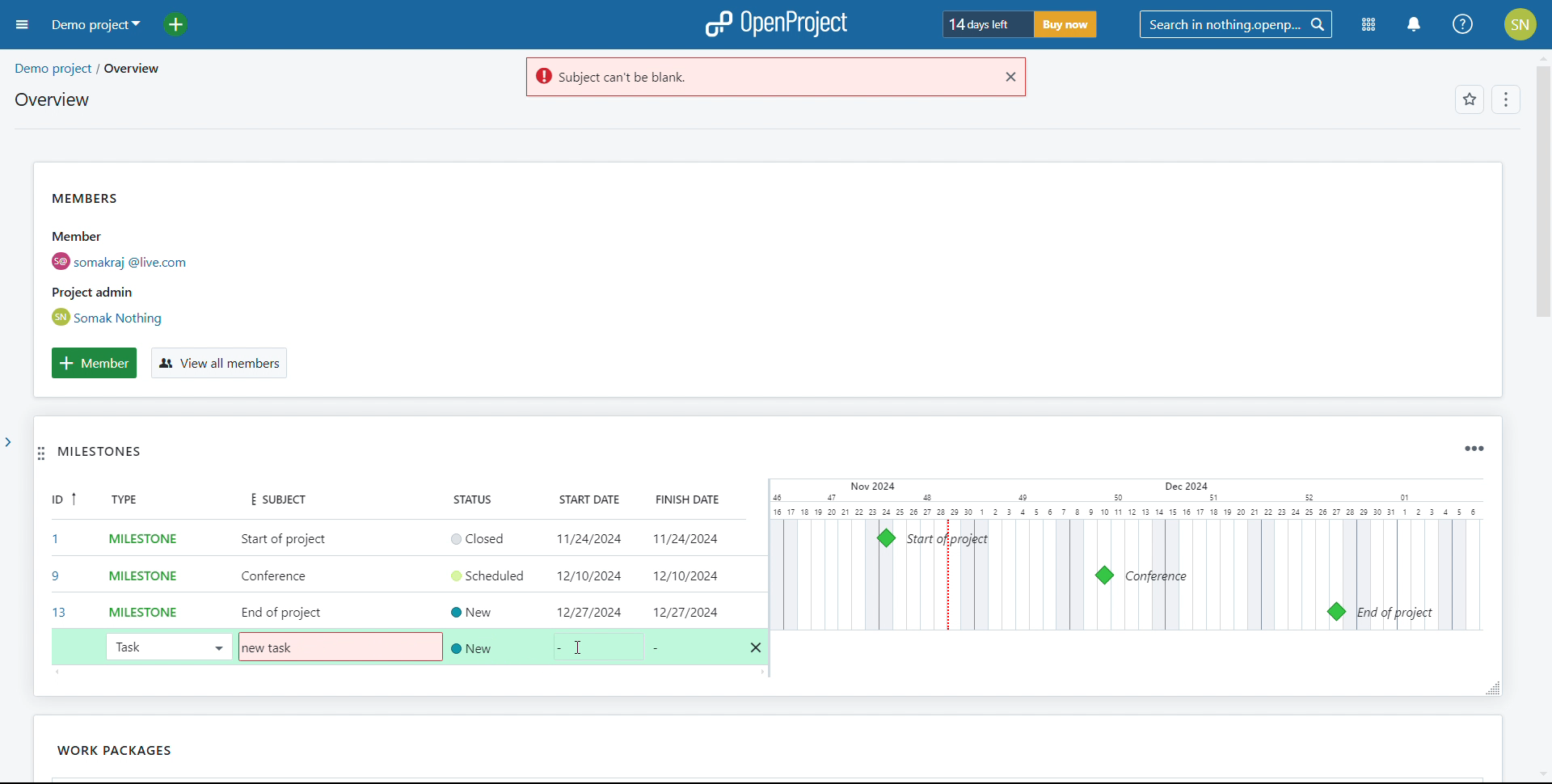  What do you see at coordinates (134, 501) in the screenshot?
I see `type` at bounding box center [134, 501].